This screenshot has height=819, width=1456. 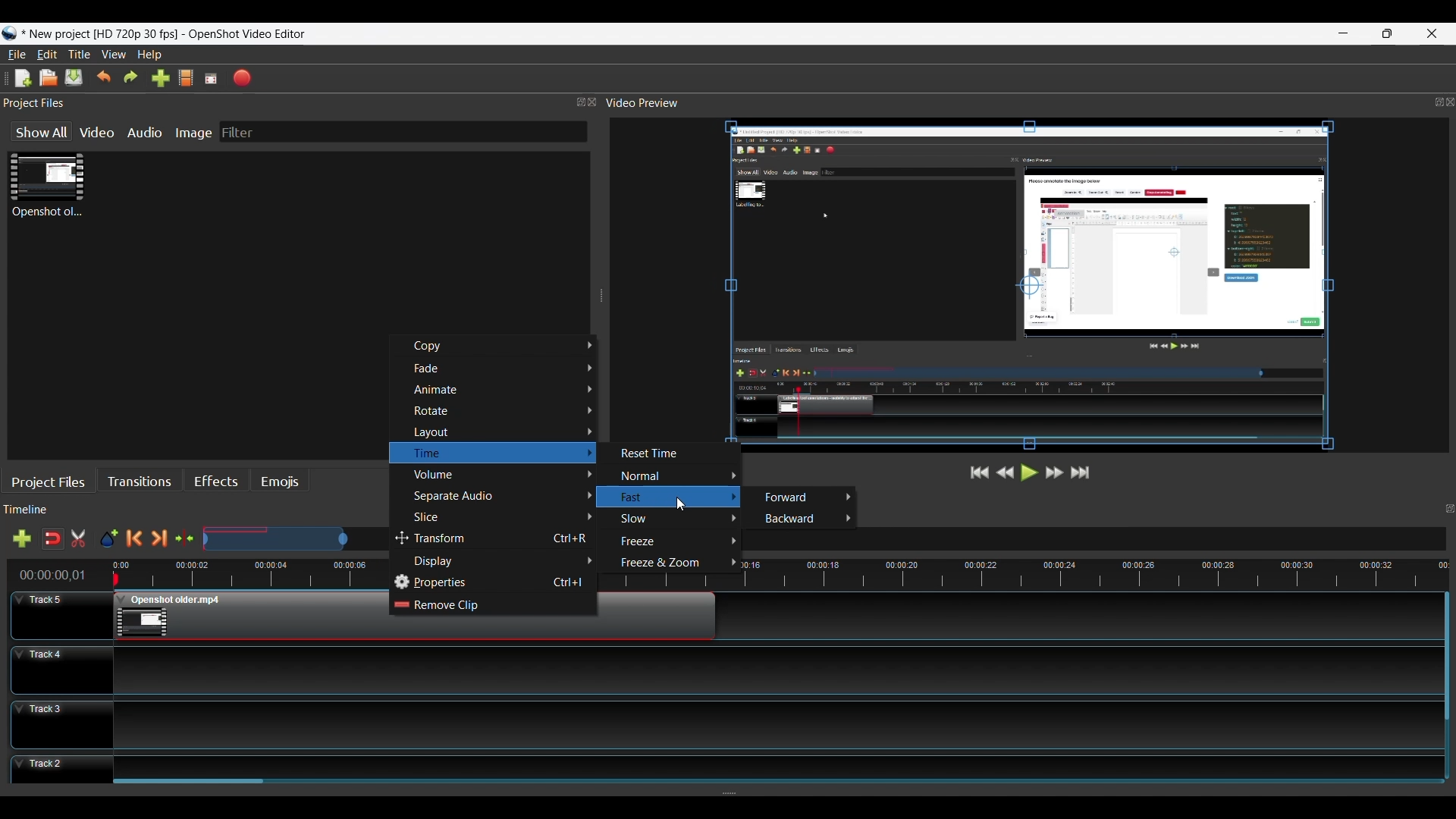 What do you see at coordinates (102, 35) in the screenshot?
I see `Project Name` at bounding box center [102, 35].